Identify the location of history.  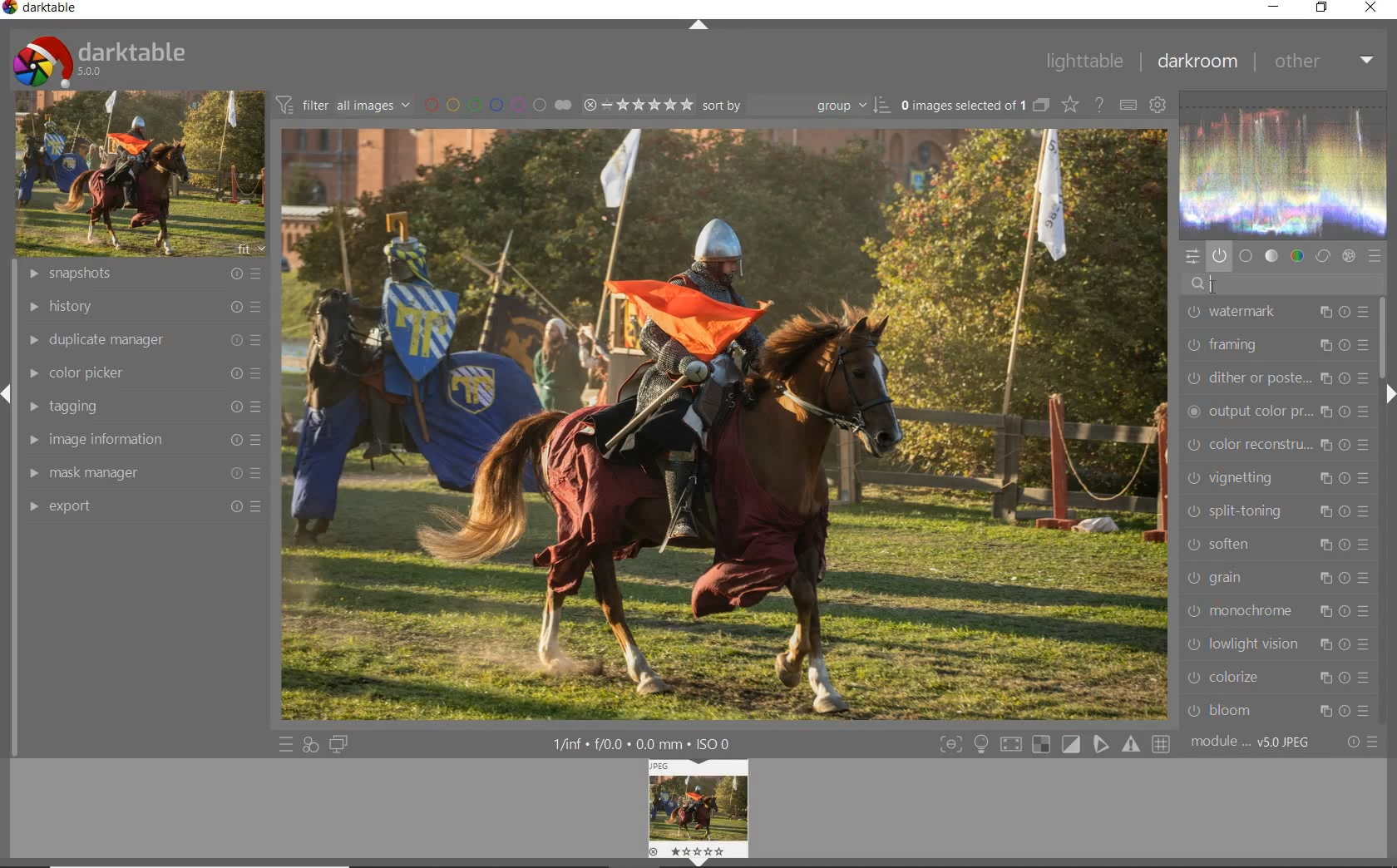
(143, 306).